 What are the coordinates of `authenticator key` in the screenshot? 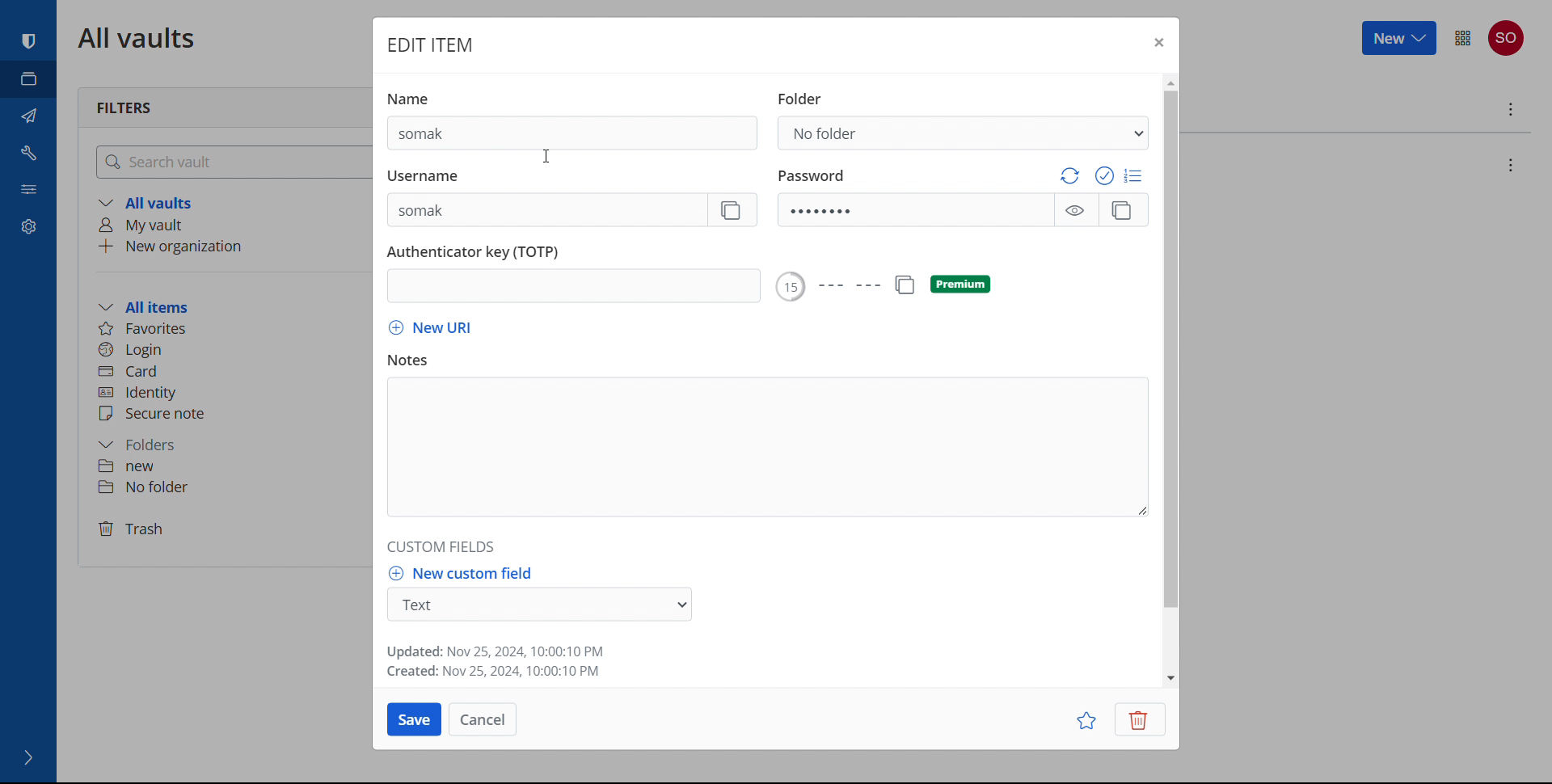 It's located at (575, 287).